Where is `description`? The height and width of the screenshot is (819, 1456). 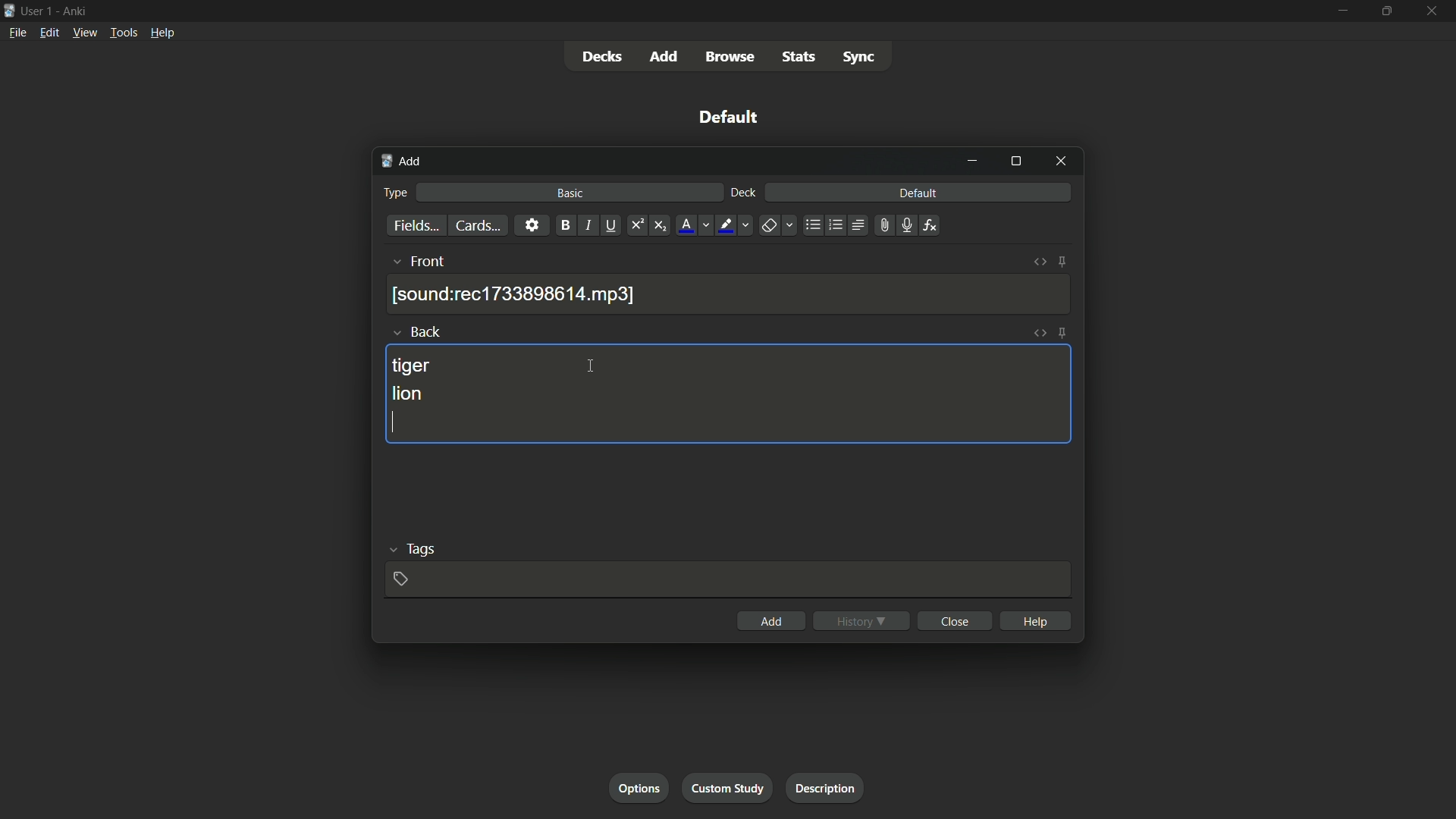
description is located at coordinates (826, 788).